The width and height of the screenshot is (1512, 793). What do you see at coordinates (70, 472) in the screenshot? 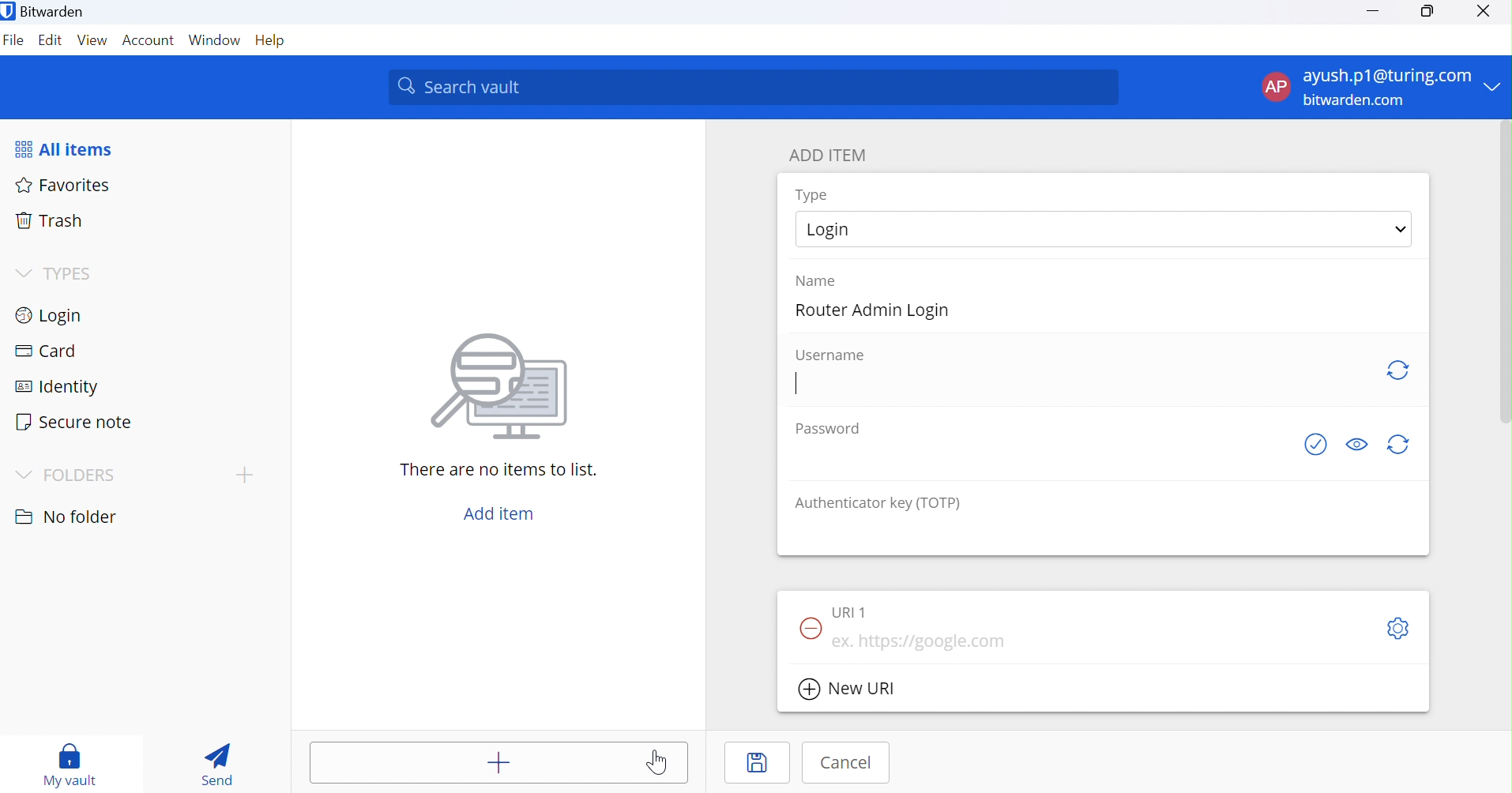
I see `FOLDERS` at bounding box center [70, 472].